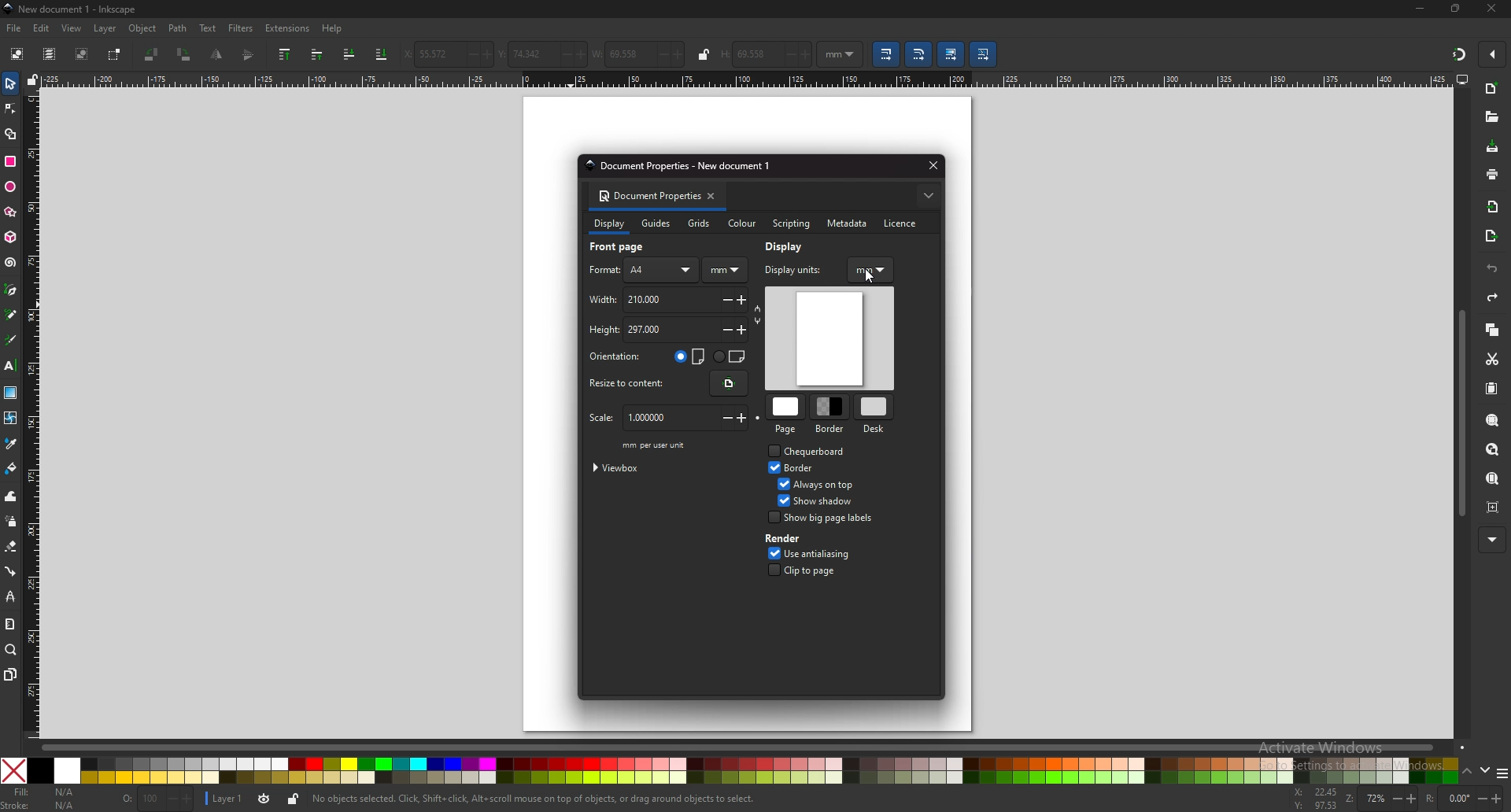 The image size is (1511, 812). What do you see at coordinates (217, 54) in the screenshot?
I see `flip horizontal` at bounding box center [217, 54].